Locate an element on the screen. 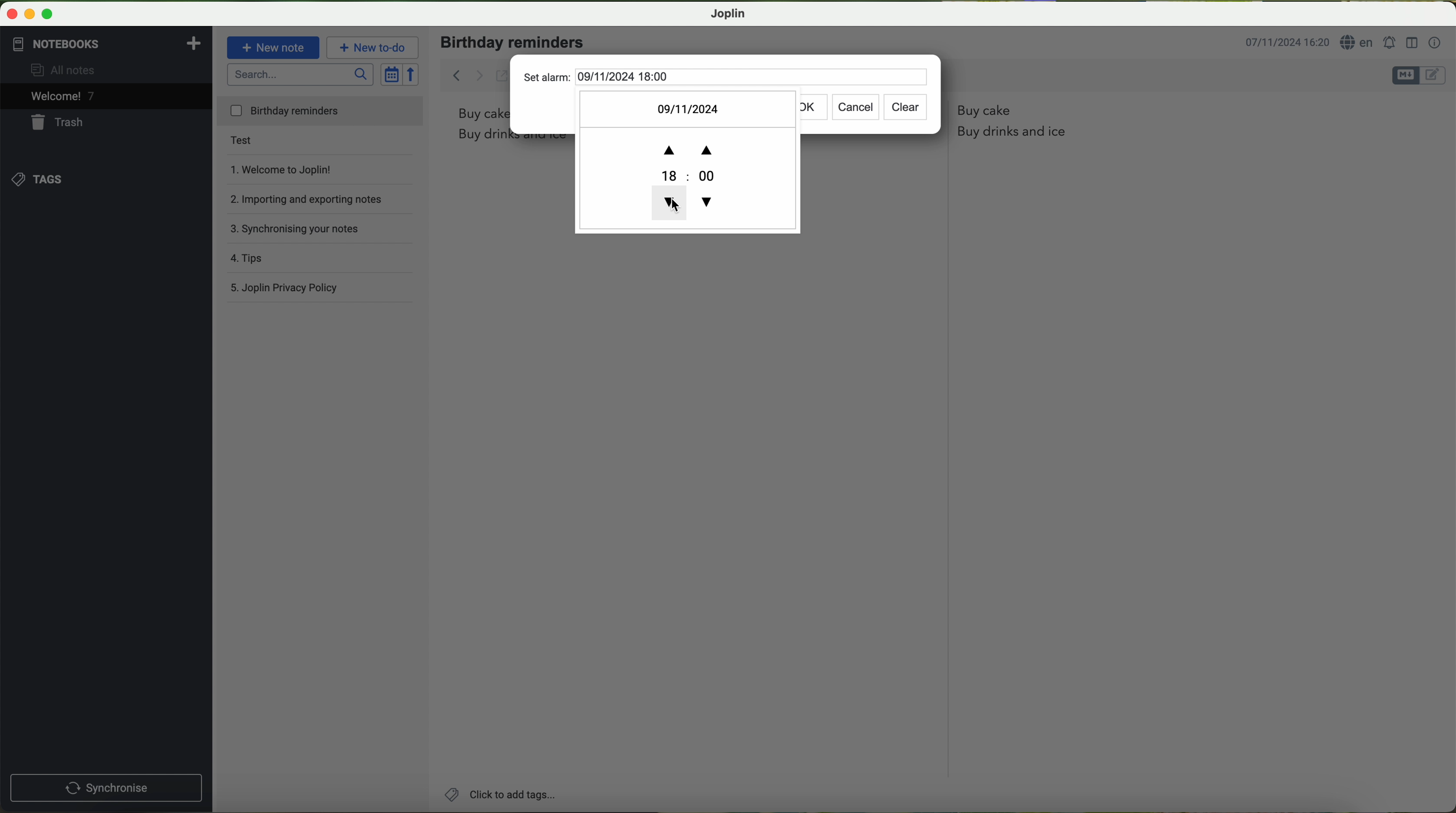 This screenshot has height=813, width=1456. toggle editor layout is located at coordinates (1409, 41).